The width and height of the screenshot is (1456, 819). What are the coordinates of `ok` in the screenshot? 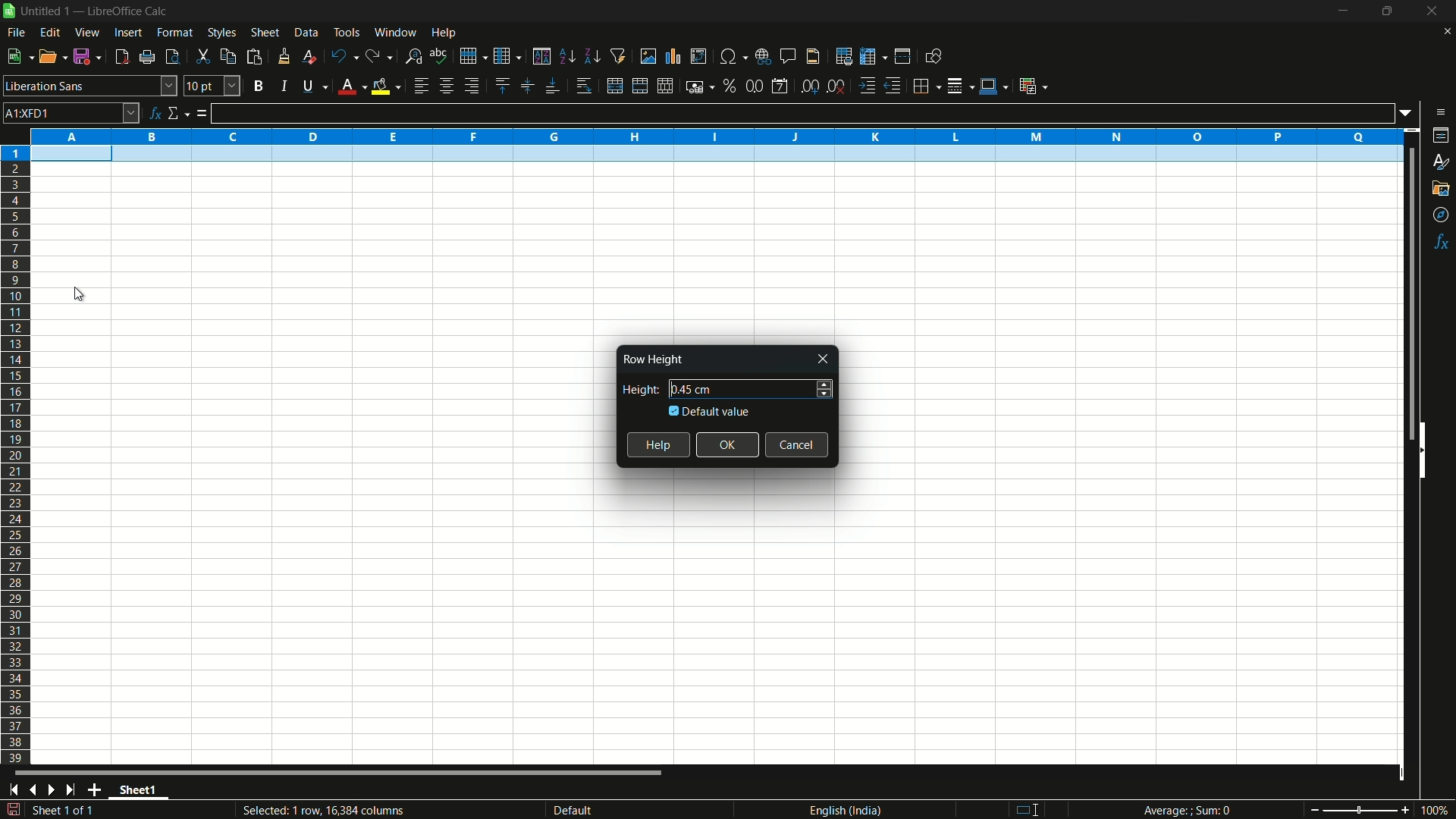 It's located at (729, 444).